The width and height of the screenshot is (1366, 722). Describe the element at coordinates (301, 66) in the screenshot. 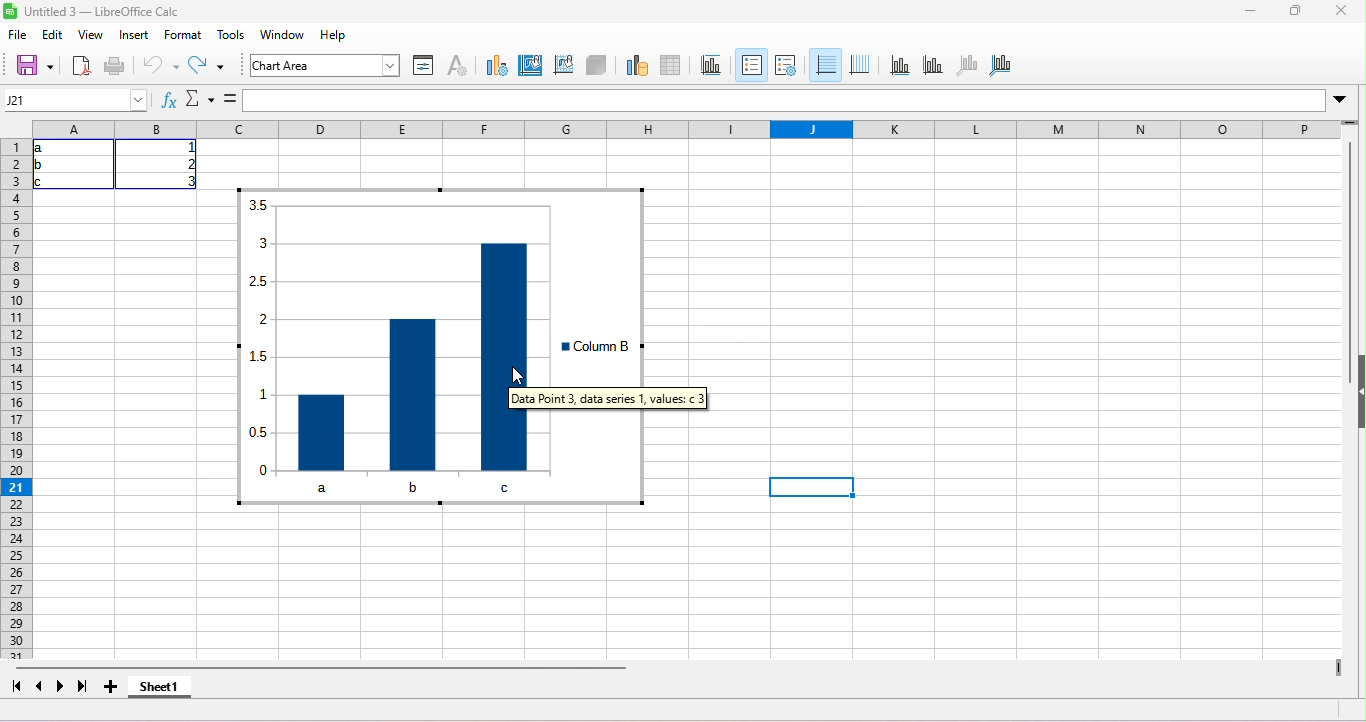

I see `chart area` at that location.